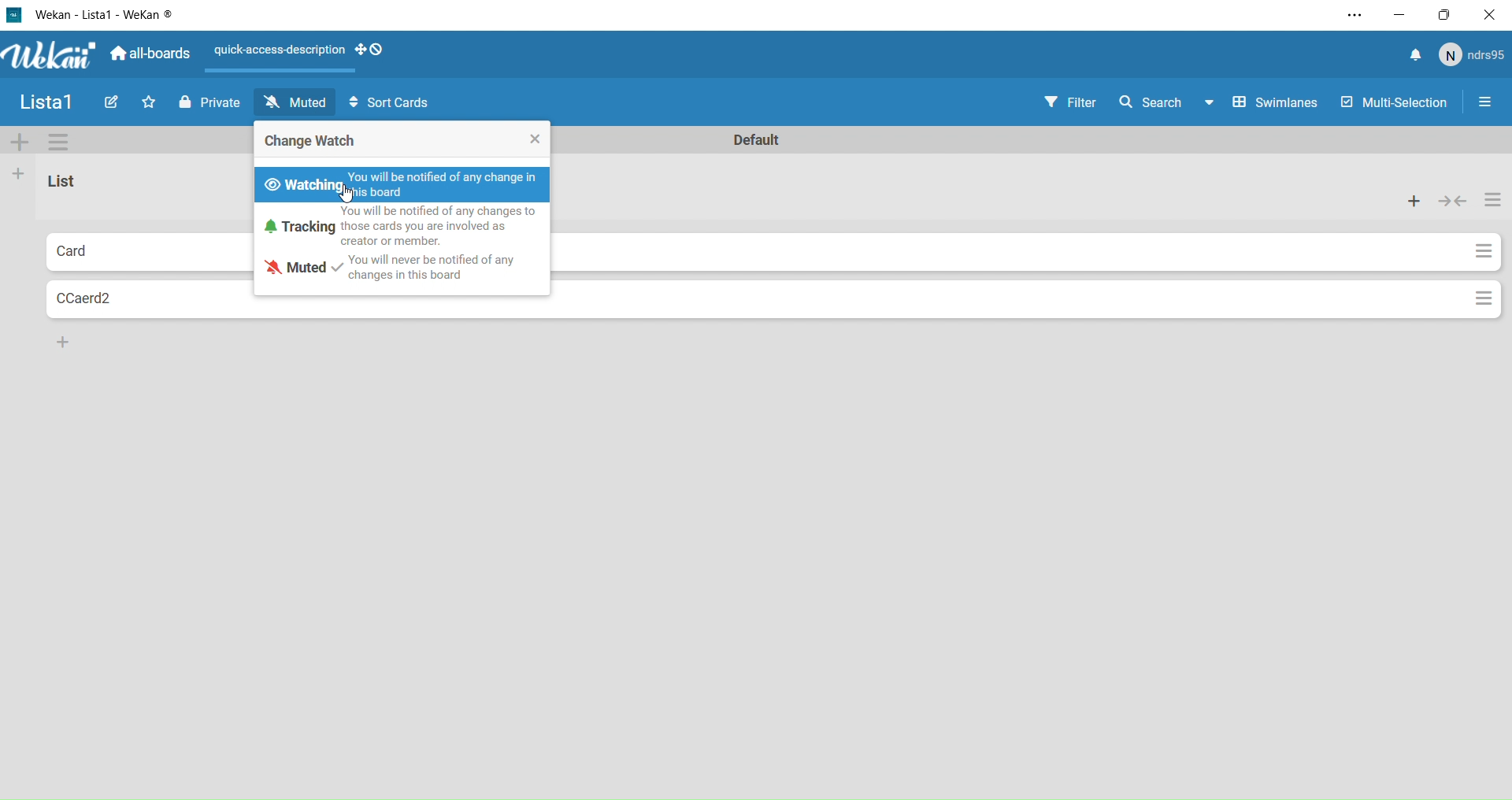 Image resolution: width=1512 pixels, height=800 pixels. Describe the element at coordinates (400, 224) in the screenshot. I see `Tracking` at that location.